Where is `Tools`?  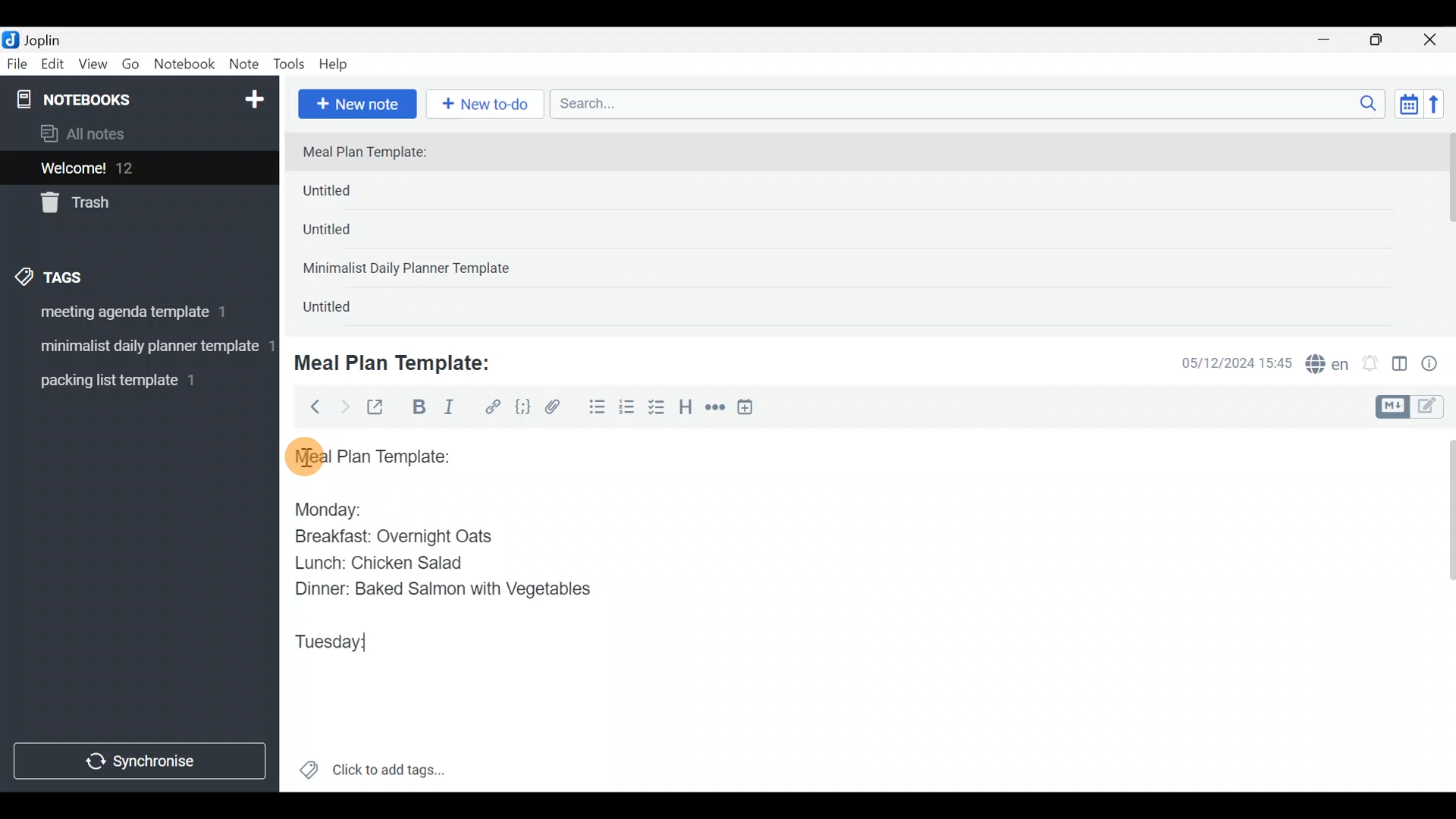
Tools is located at coordinates (290, 65).